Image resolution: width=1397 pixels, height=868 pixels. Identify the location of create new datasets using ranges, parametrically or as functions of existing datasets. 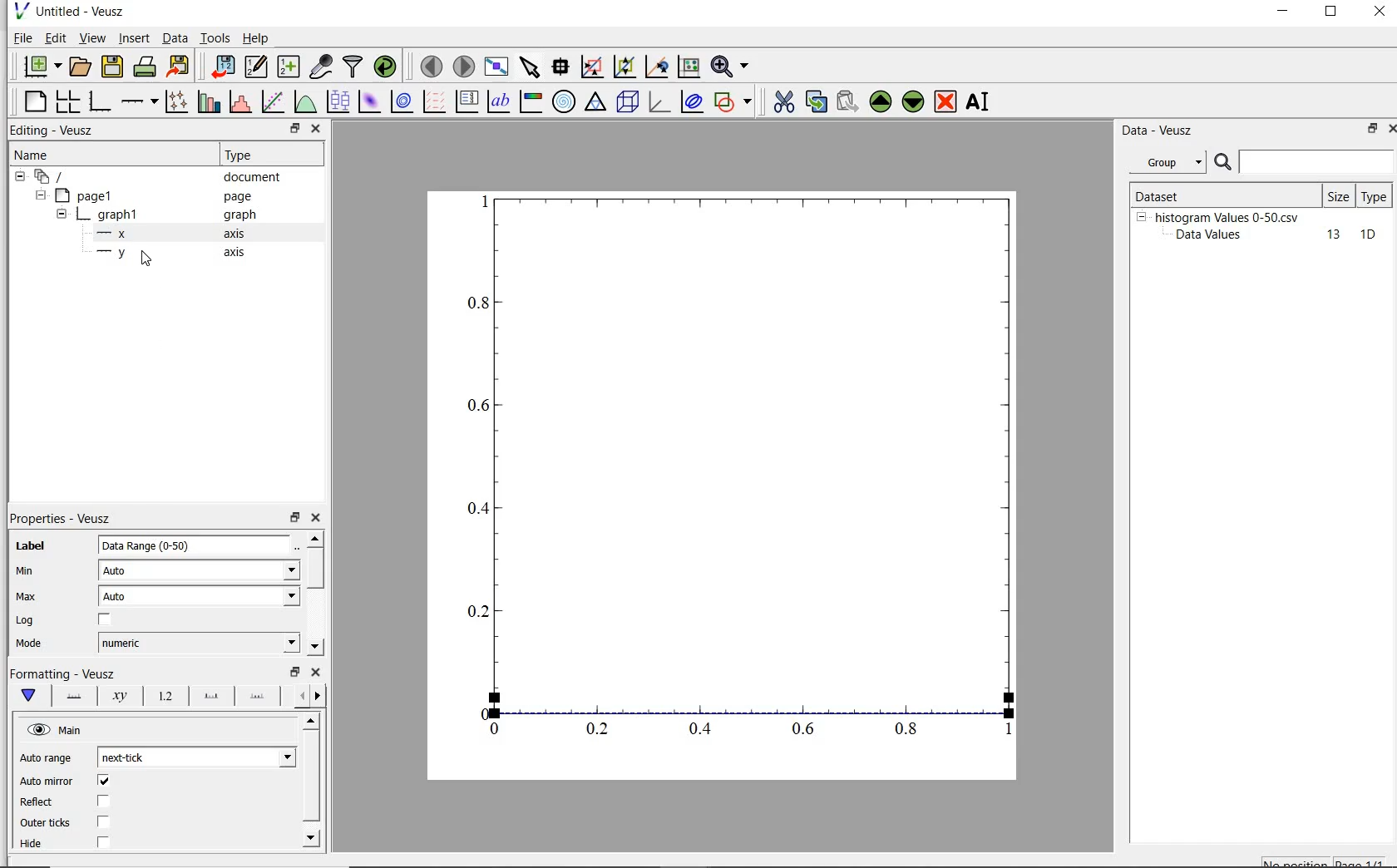
(291, 65).